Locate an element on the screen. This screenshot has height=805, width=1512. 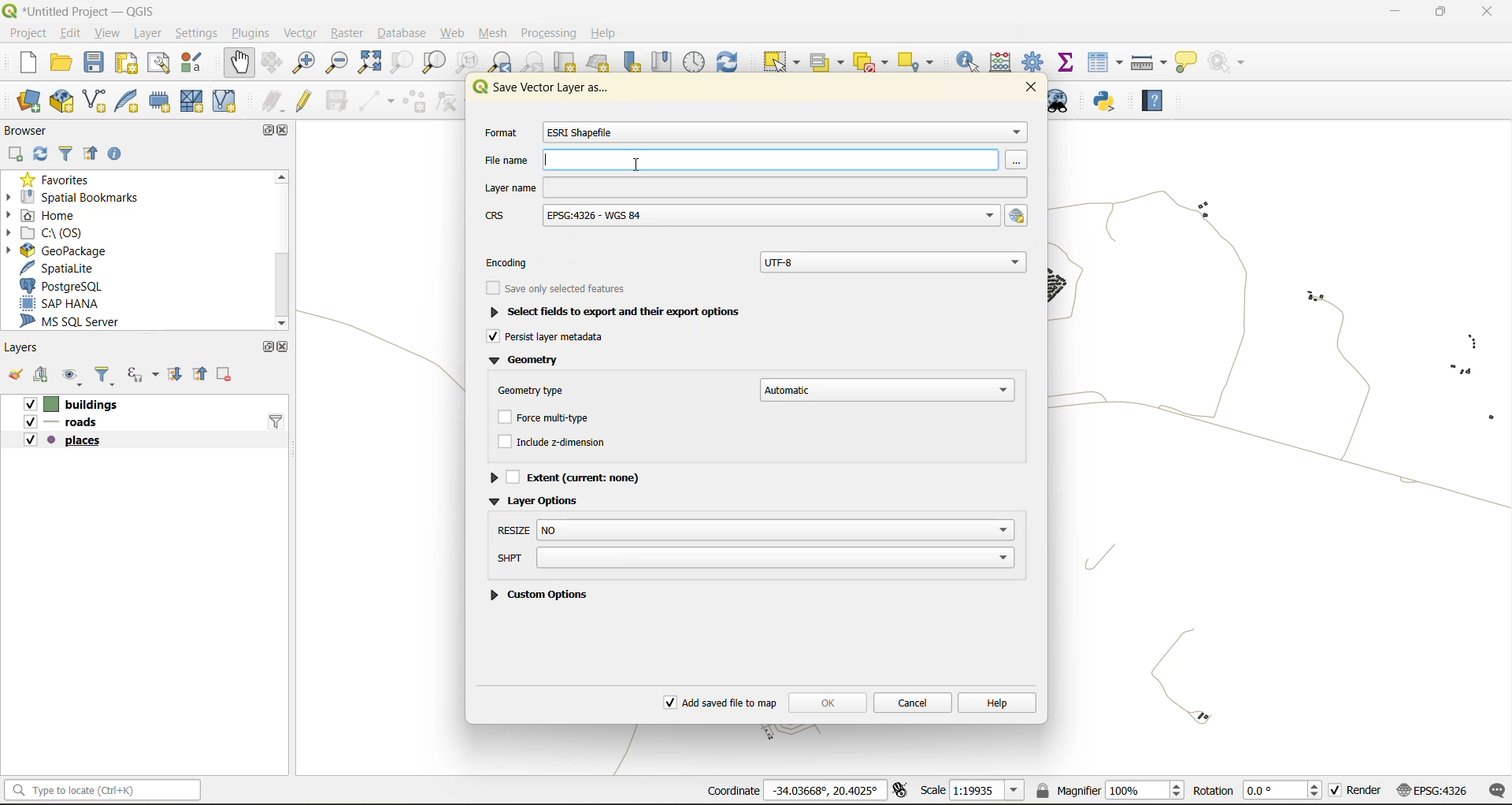
zoom out is located at coordinates (341, 61).